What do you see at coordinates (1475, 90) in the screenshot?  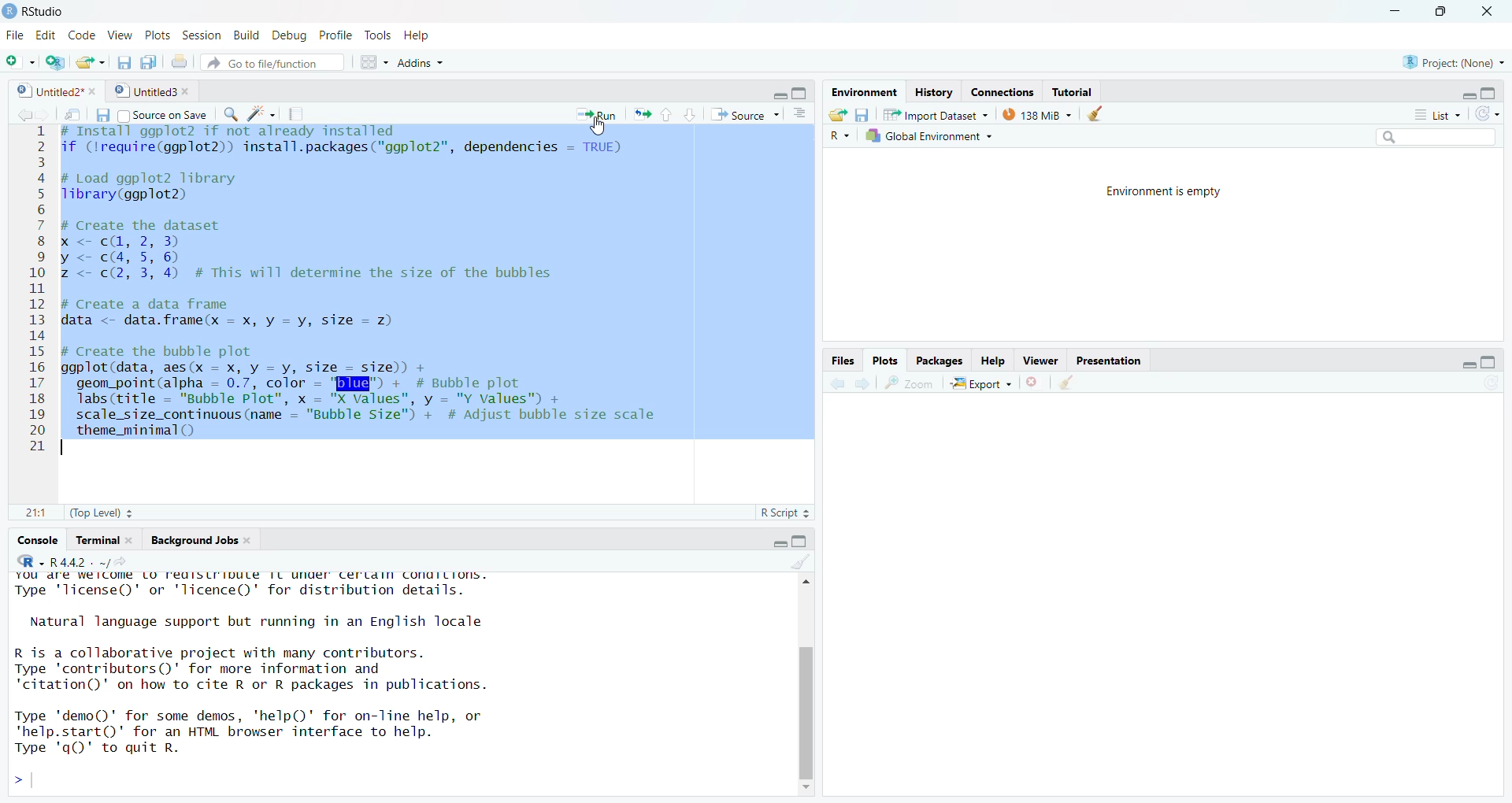 I see `maximize/minimize` at bounding box center [1475, 90].